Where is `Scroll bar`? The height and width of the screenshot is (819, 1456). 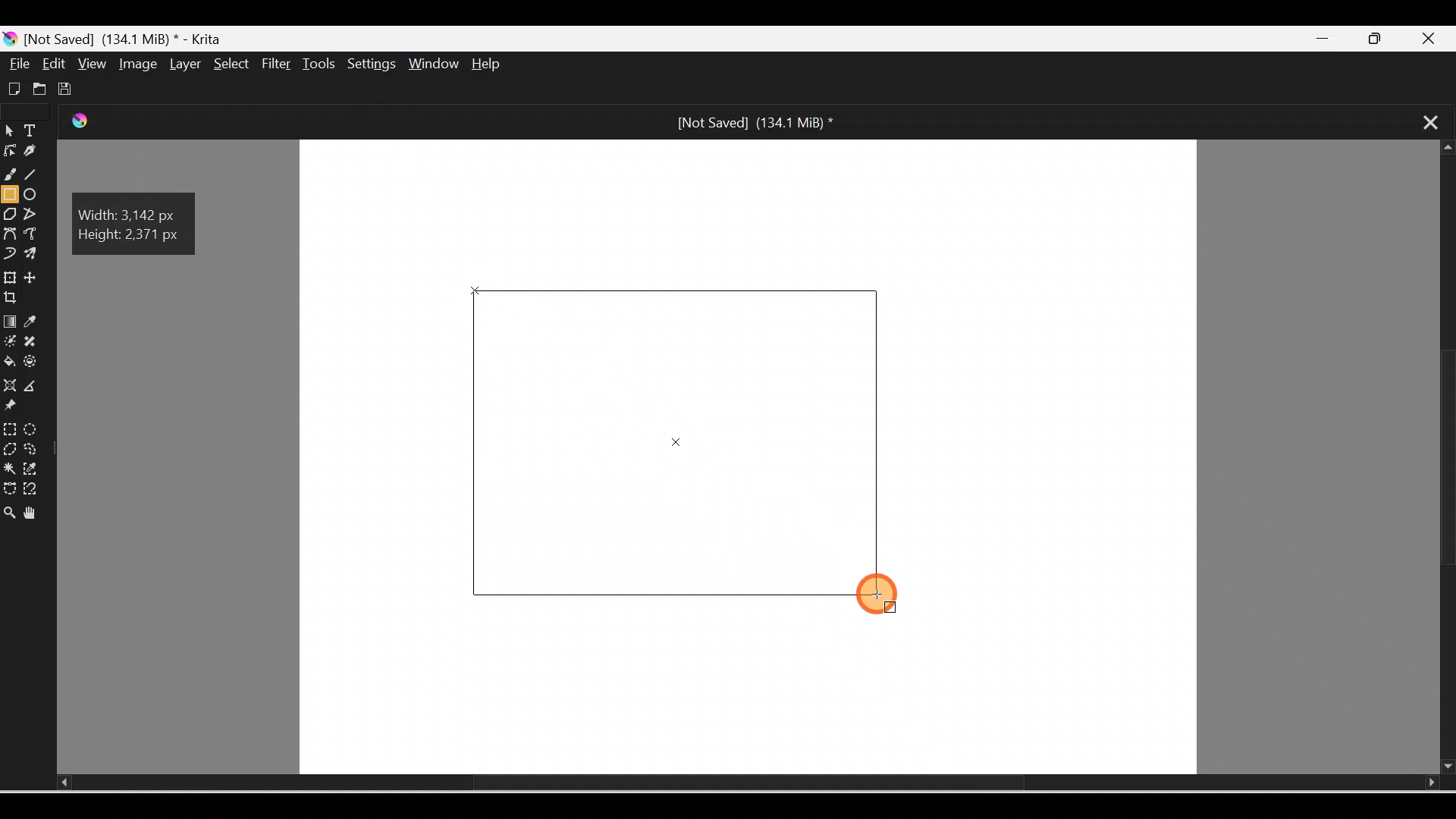
Scroll bar is located at coordinates (725, 783).